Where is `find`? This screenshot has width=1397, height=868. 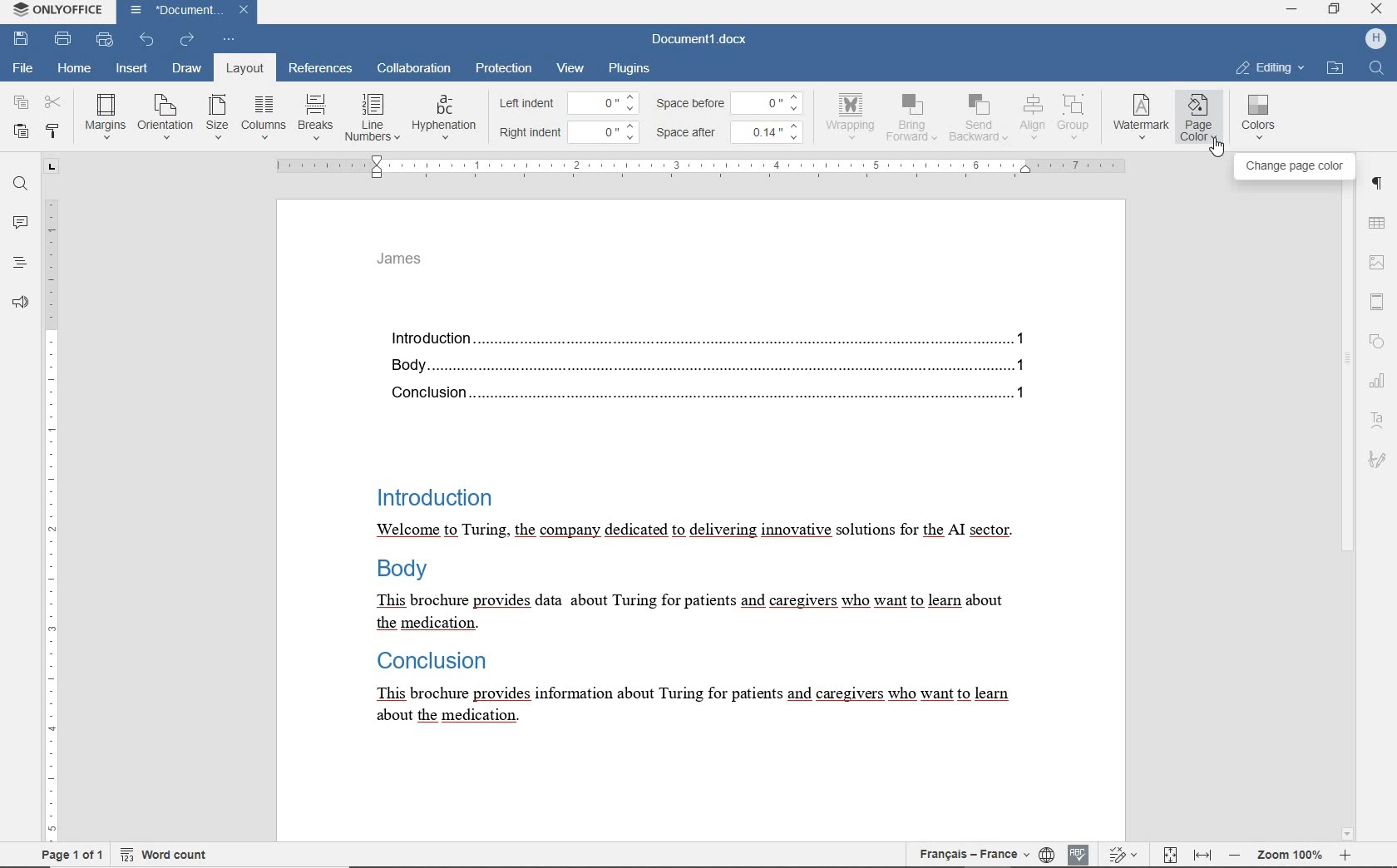 find is located at coordinates (20, 185).